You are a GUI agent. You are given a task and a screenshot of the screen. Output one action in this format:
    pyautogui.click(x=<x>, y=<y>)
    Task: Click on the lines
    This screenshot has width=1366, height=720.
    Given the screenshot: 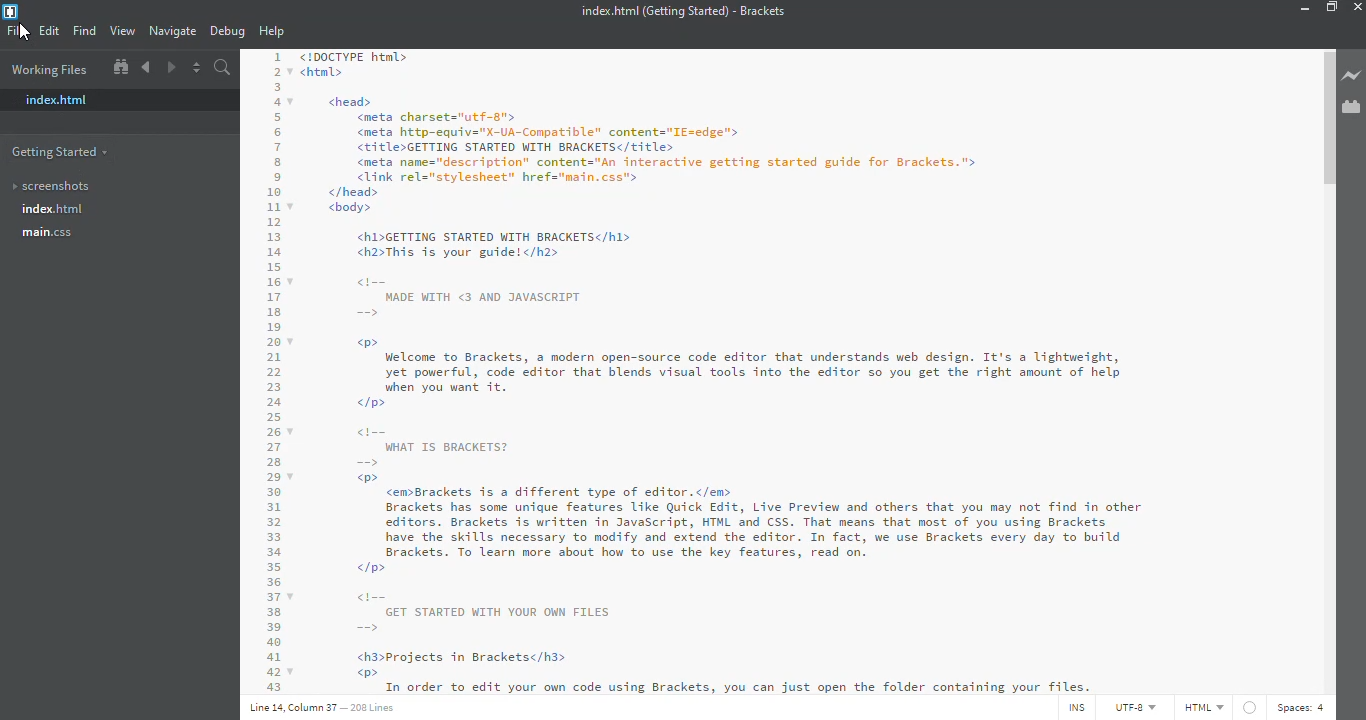 What is the action you would take?
    pyautogui.click(x=375, y=707)
    